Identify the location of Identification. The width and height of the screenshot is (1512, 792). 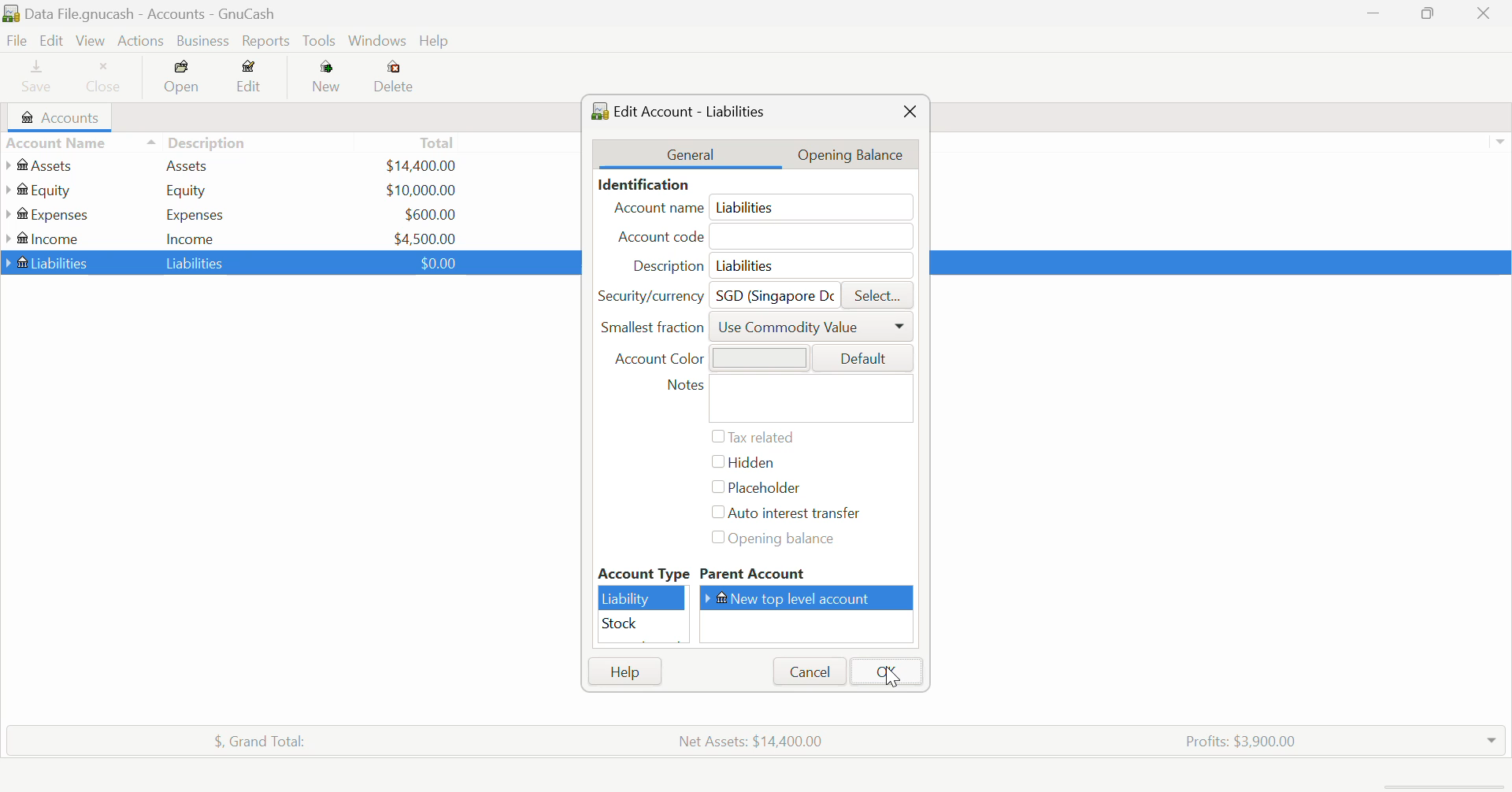
(640, 184).